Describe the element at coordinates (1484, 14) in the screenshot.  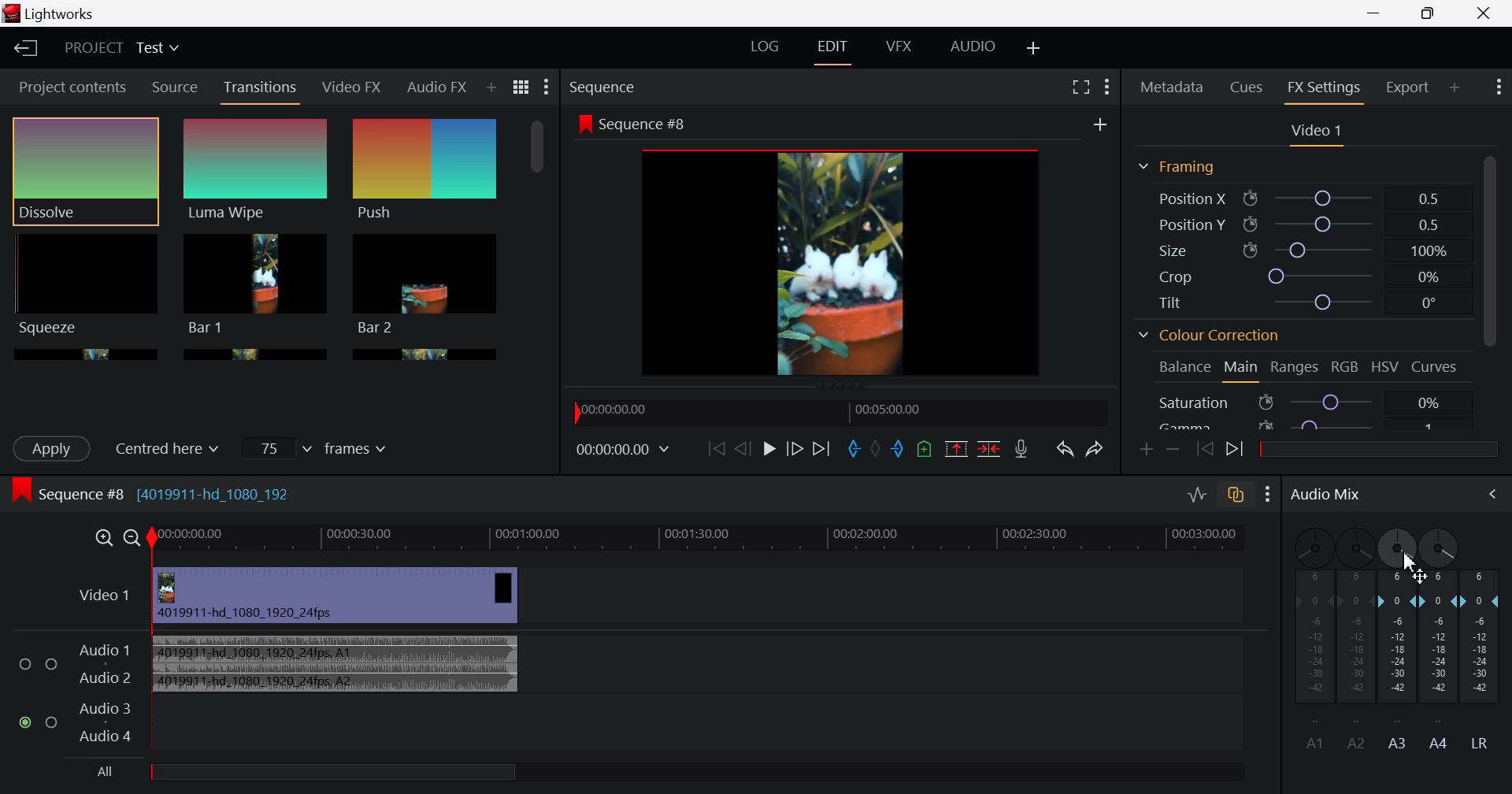
I see `Close` at that location.